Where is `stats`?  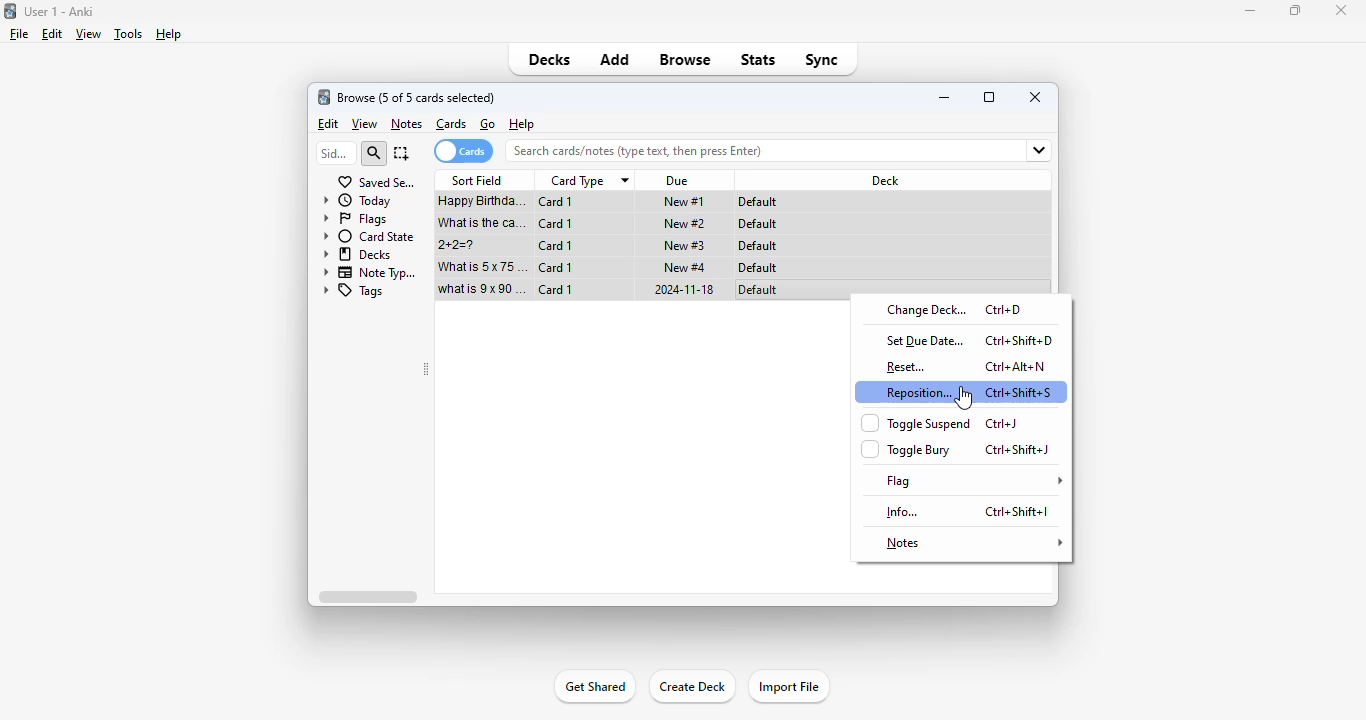 stats is located at coordinates (759, 59).